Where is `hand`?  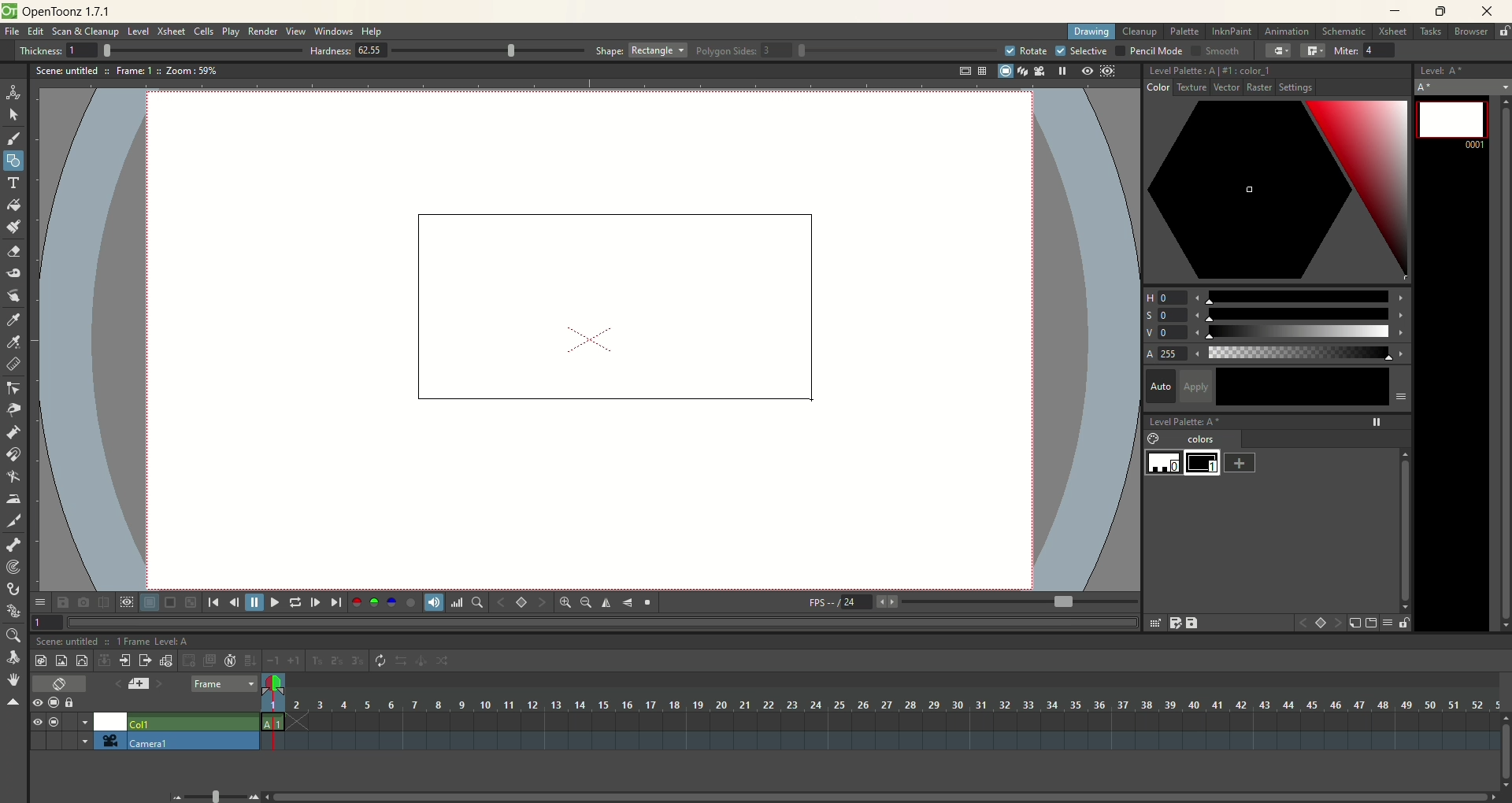
hand is located at coordinates (13, 679).